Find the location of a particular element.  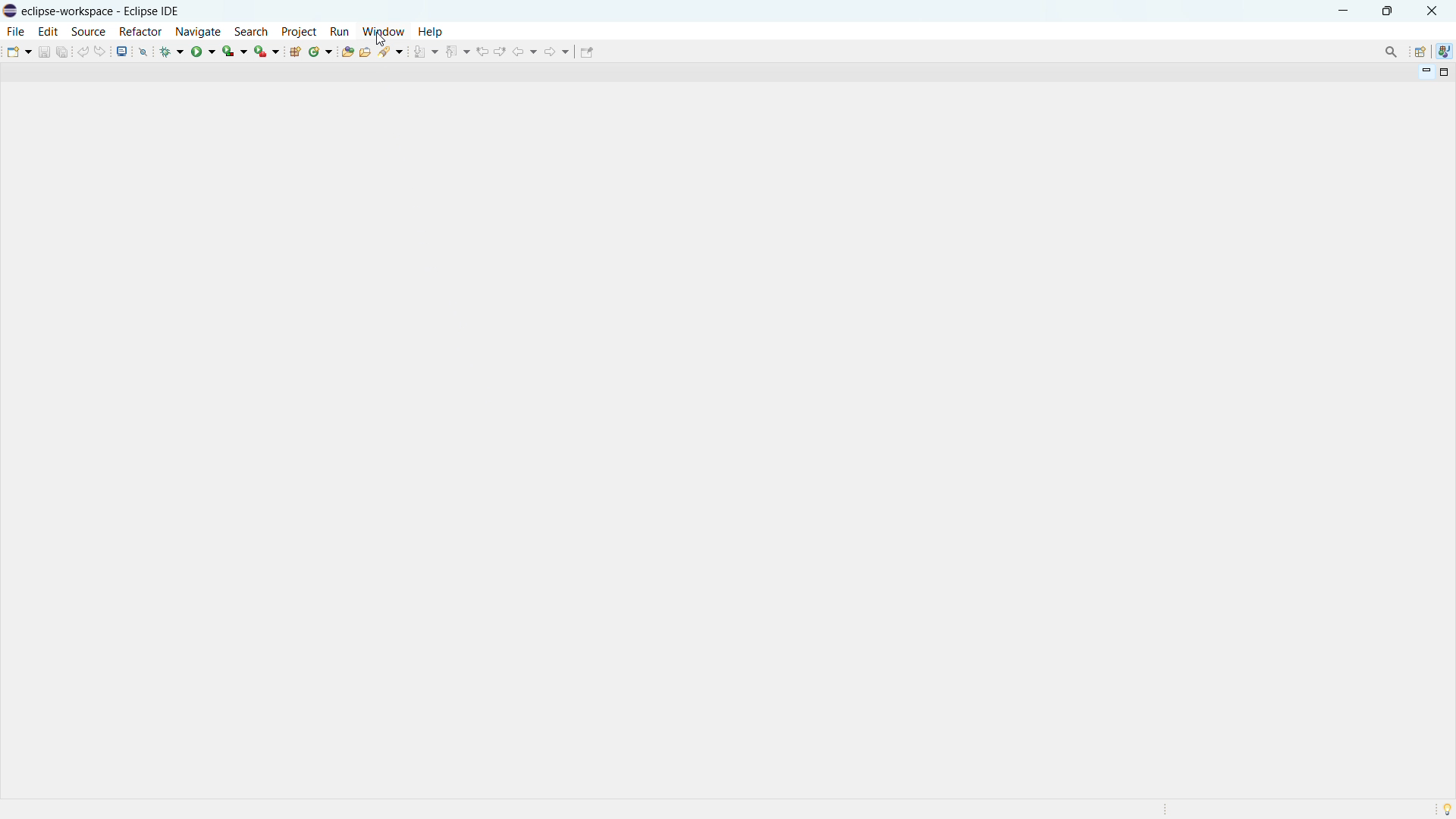

new java class is located at coordinates (322, 52).